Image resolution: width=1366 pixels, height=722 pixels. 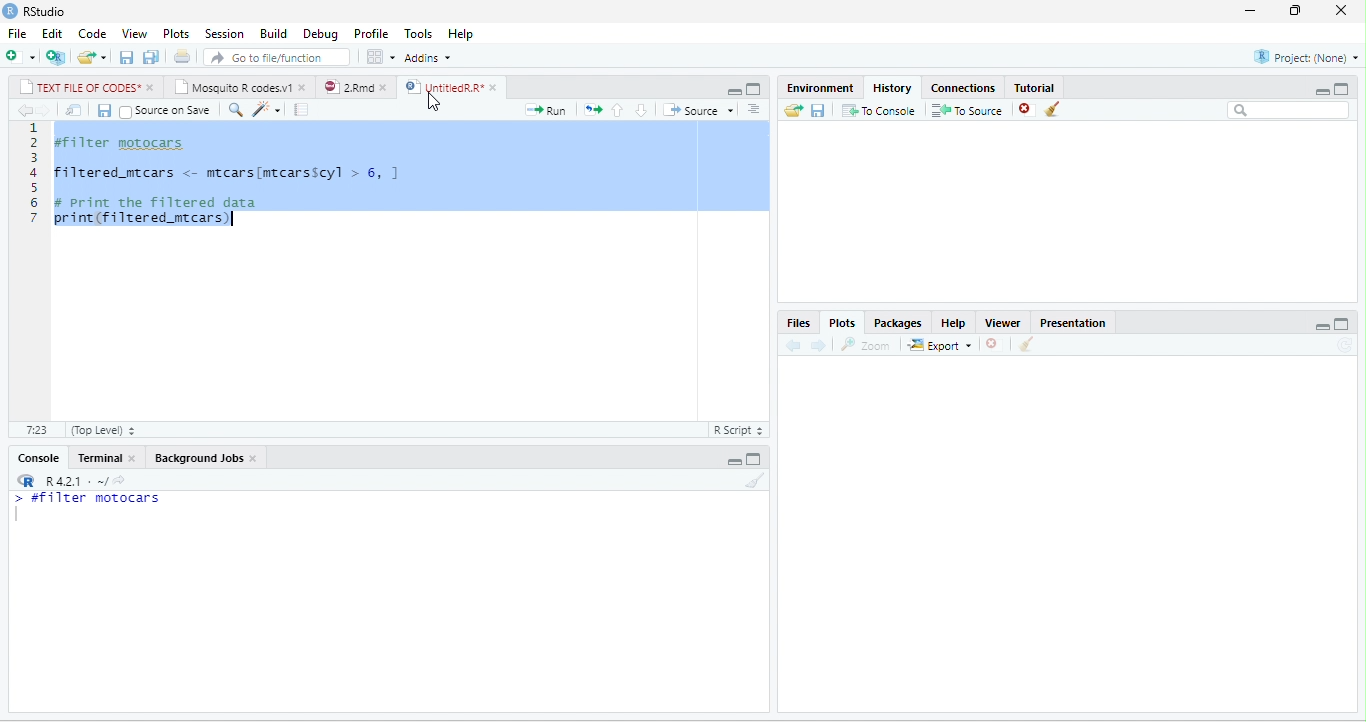 What do you see at coordinates (418, 34) in the screenshot?
I see `Tools` at bounding box center [418, 34].